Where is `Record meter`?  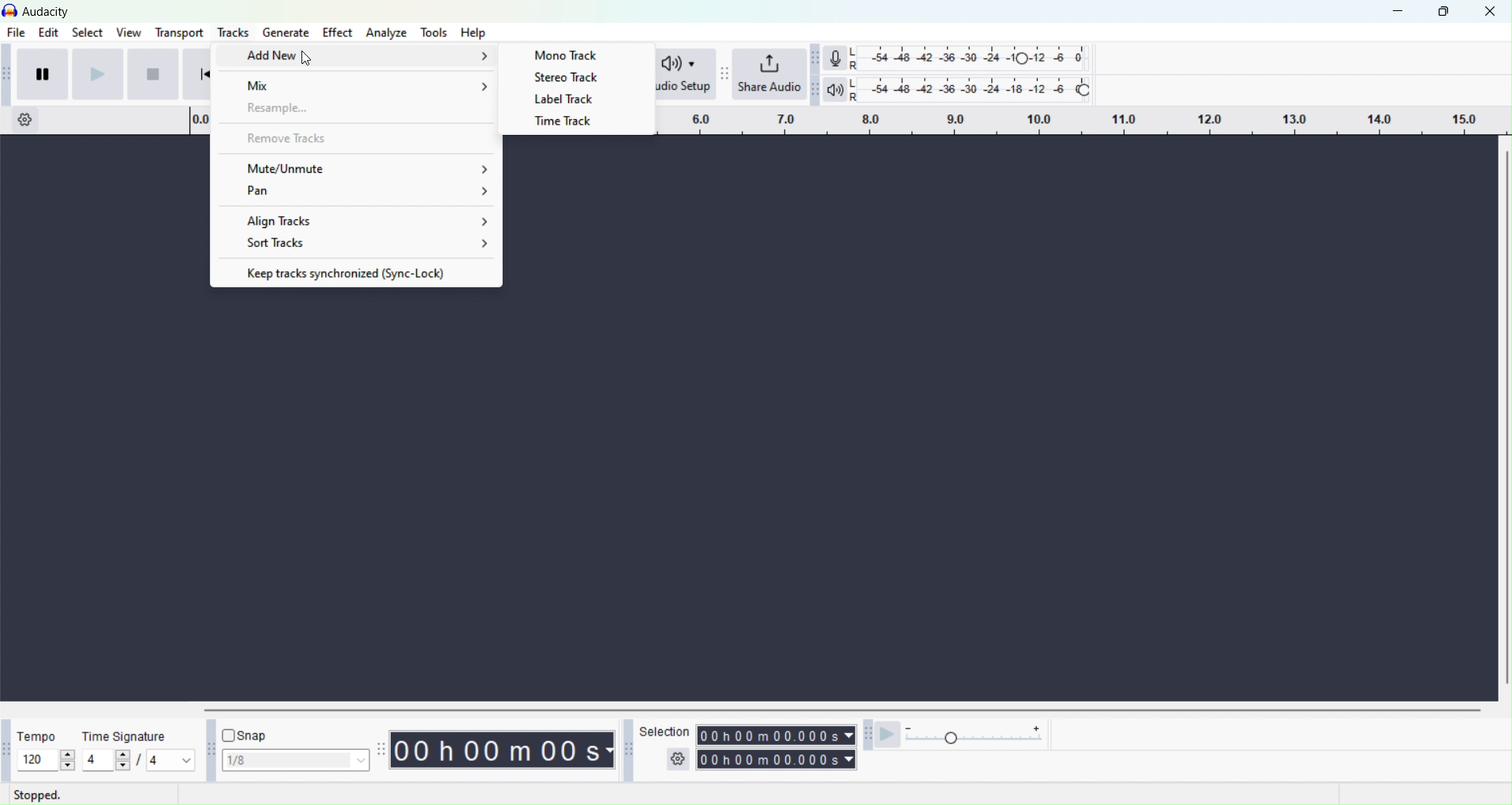
Record meter is located at coordinates (836, 58).